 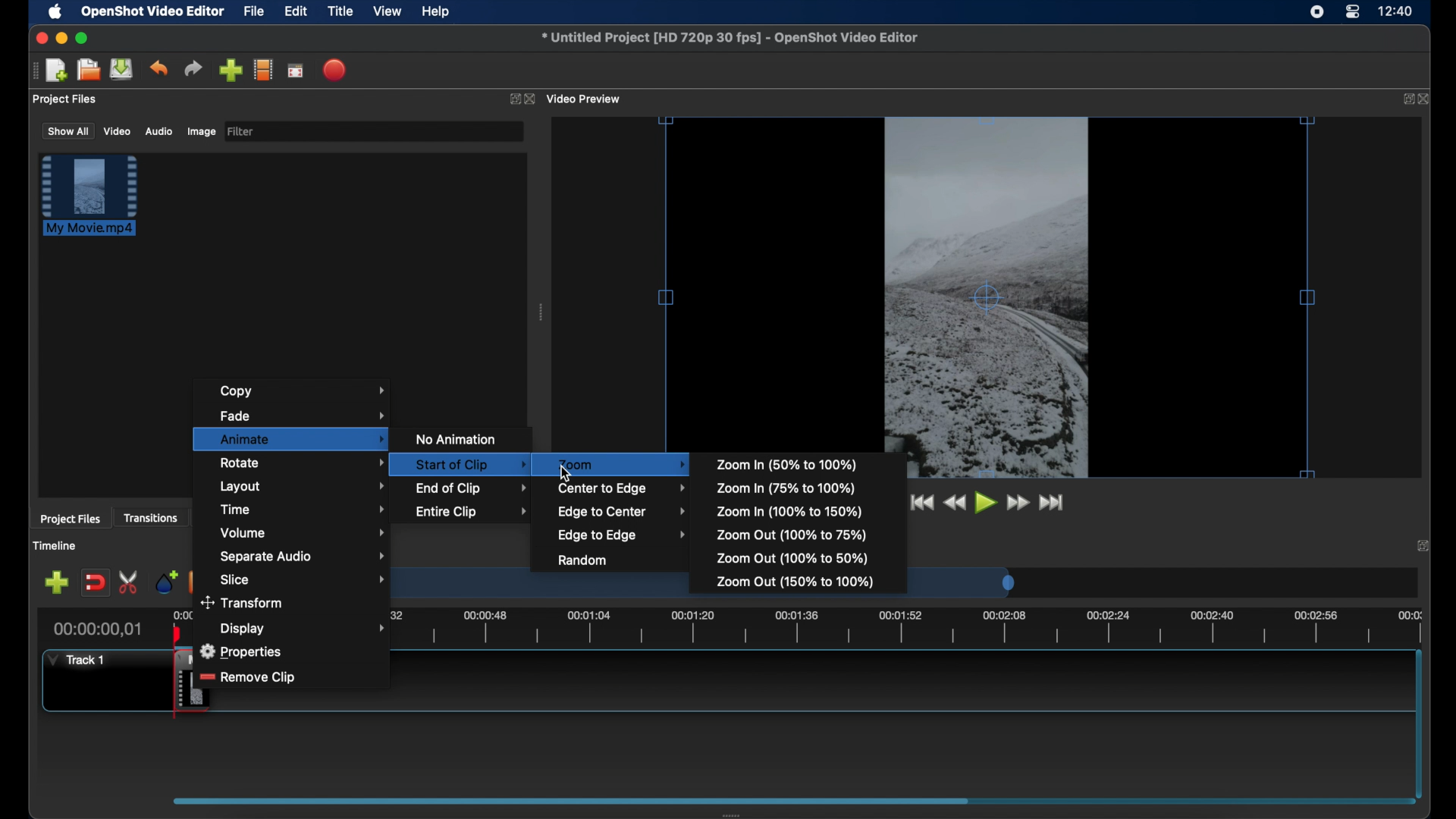 I want to click on properties, so click(x=243, y=651).